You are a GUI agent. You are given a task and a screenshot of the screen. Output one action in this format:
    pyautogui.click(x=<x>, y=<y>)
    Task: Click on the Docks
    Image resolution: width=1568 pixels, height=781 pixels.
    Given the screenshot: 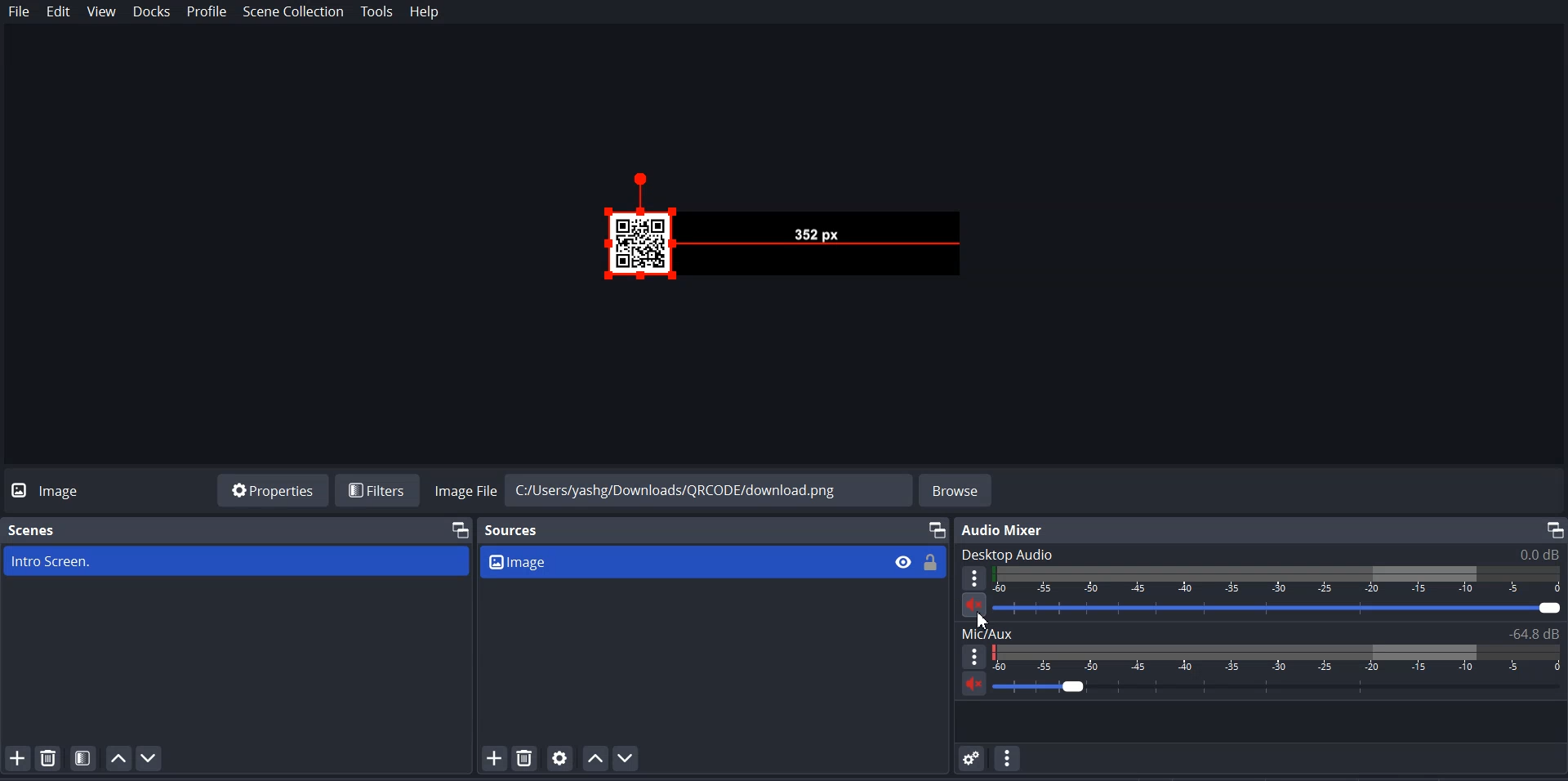 What is the action you would take?
    pyautogui.click(x=151, y=11)
    